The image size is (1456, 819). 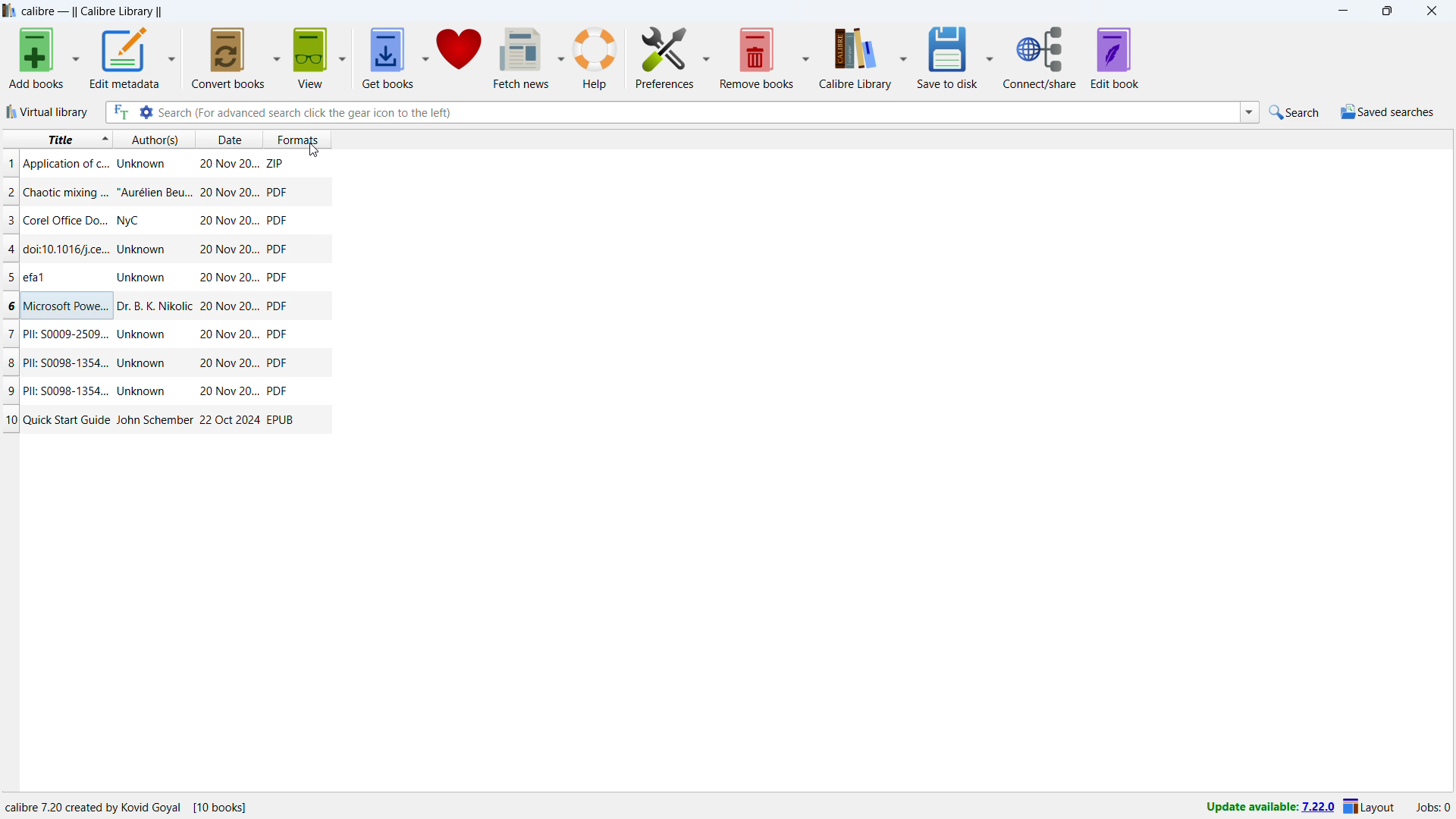 What do you see at coordinates (9, 390) in the screenshot?
I see `9` at bounding box center [9, 390].